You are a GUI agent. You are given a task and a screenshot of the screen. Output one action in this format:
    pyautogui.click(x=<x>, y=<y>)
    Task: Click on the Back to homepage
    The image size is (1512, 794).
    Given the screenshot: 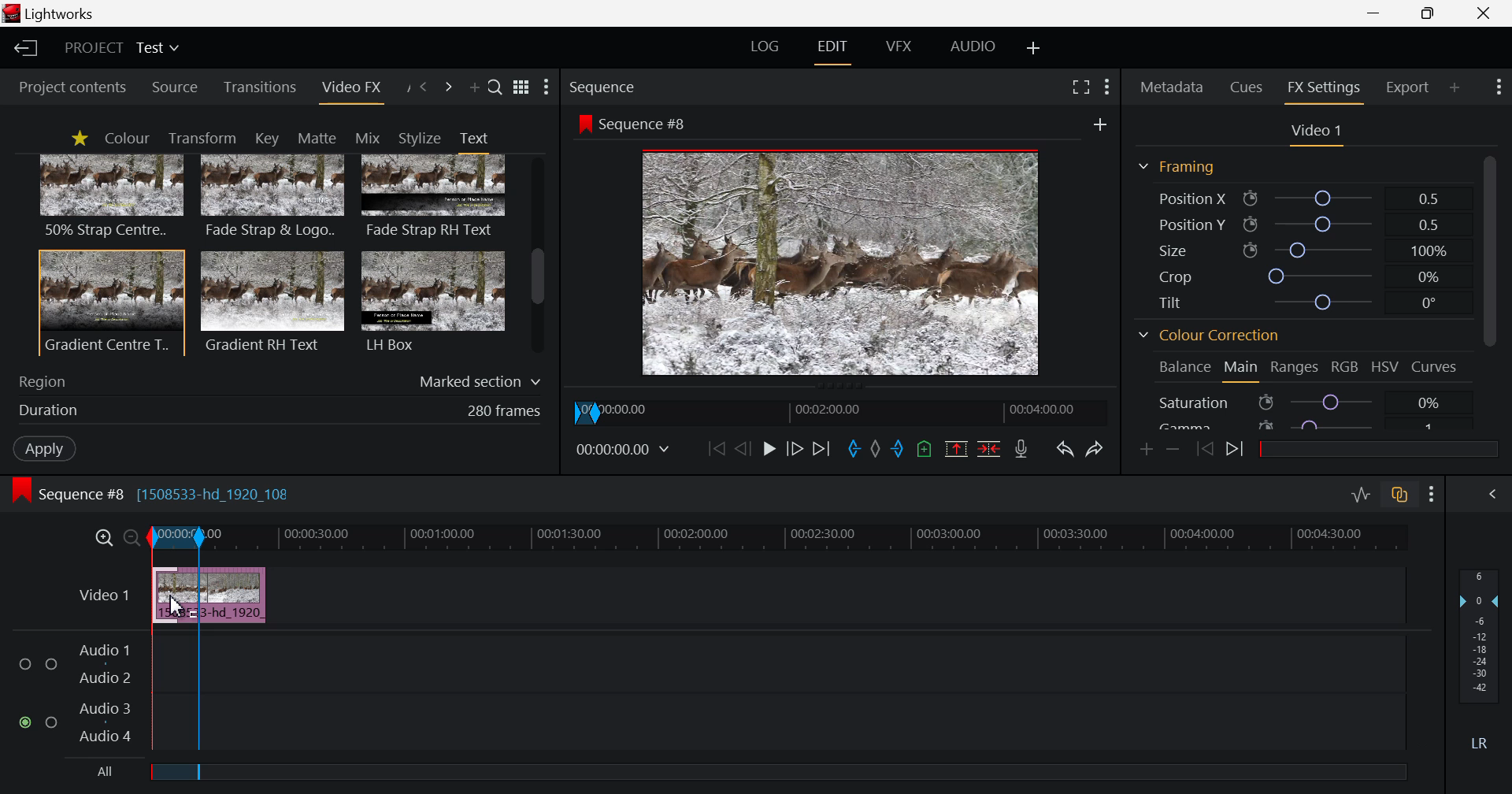 What is the action you would take?
    pyautogui.click(x=23, y=48)
    